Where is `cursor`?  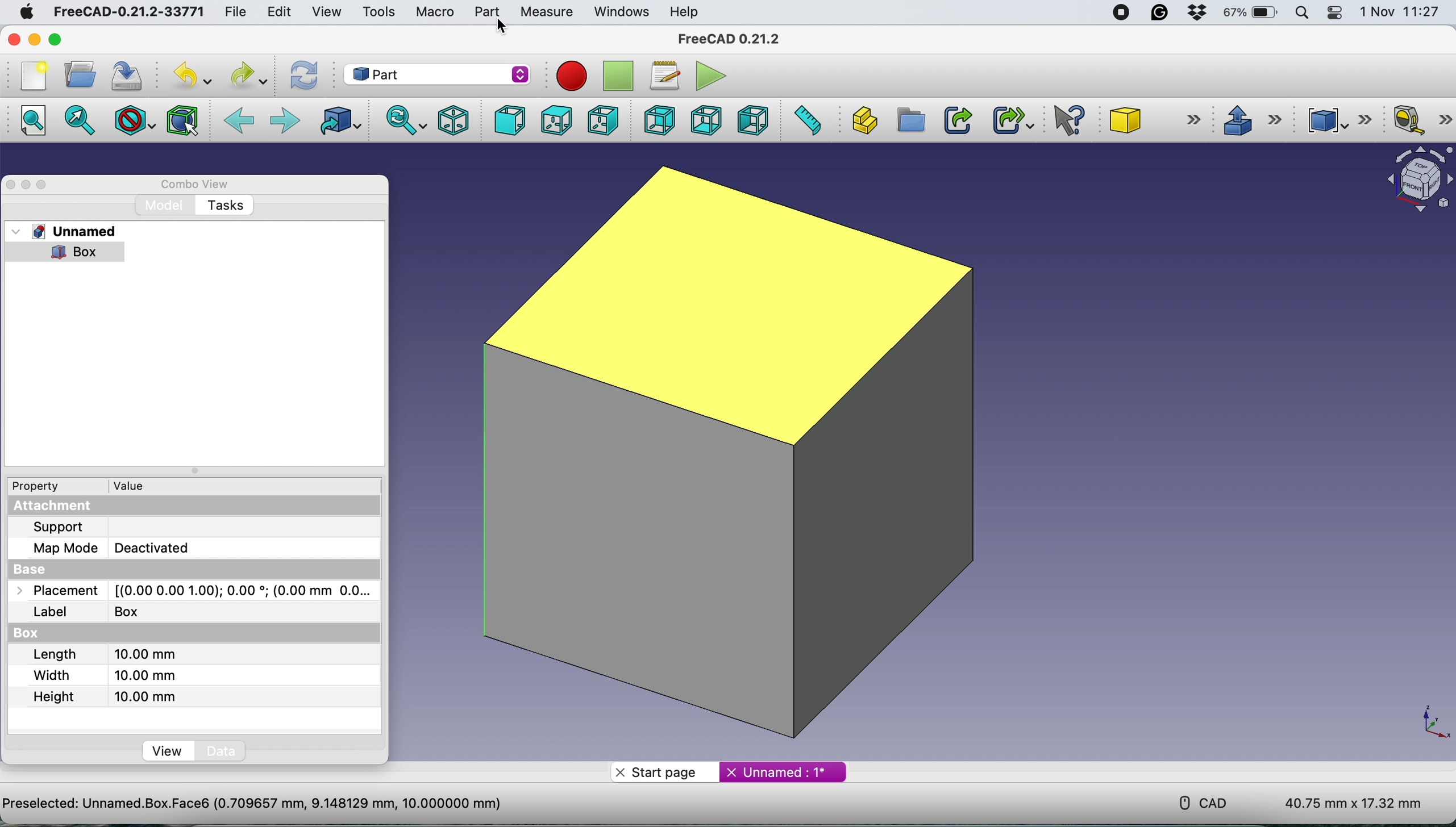 cursor is located at coordinates (502, 28).